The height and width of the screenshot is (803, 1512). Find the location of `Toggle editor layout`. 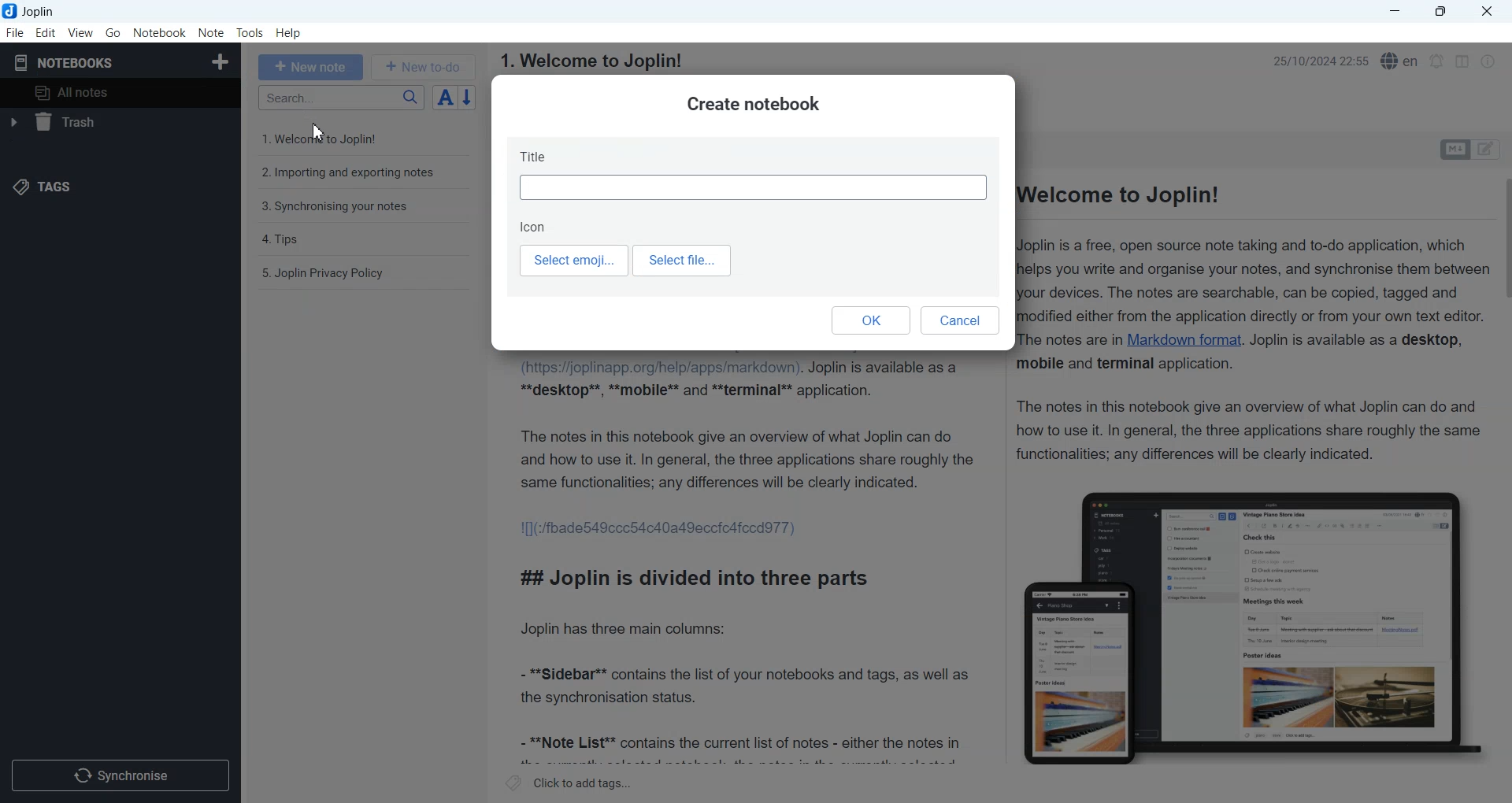

Toggle editor layout is located at coordinates (1462, 61).